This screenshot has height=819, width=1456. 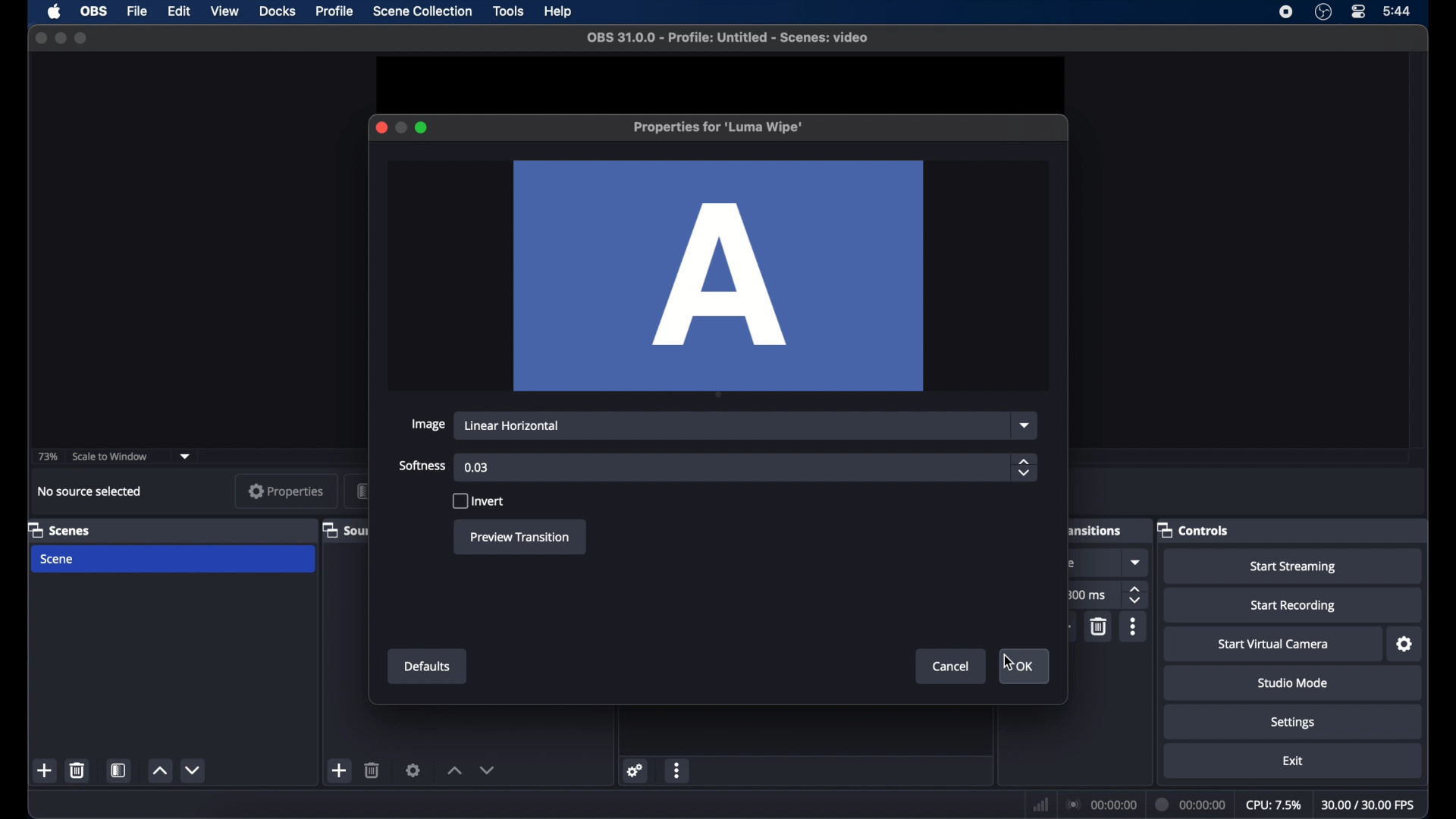 I want to click on maximize, so click(x=83, y=38).